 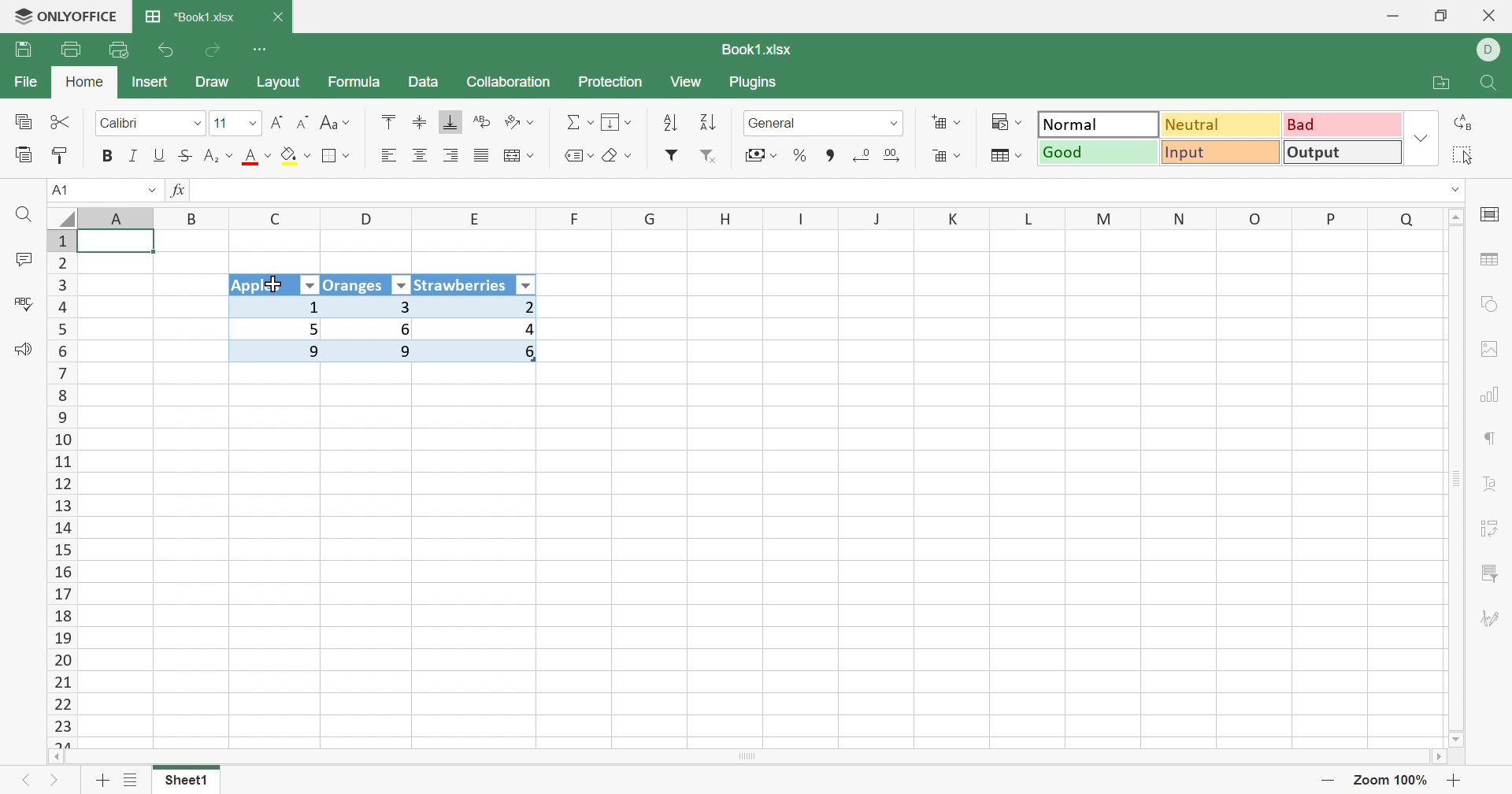 What do you see at coordinates (27, 216) in the screenshot?
I see `Find` at bounding box center [27, 216].